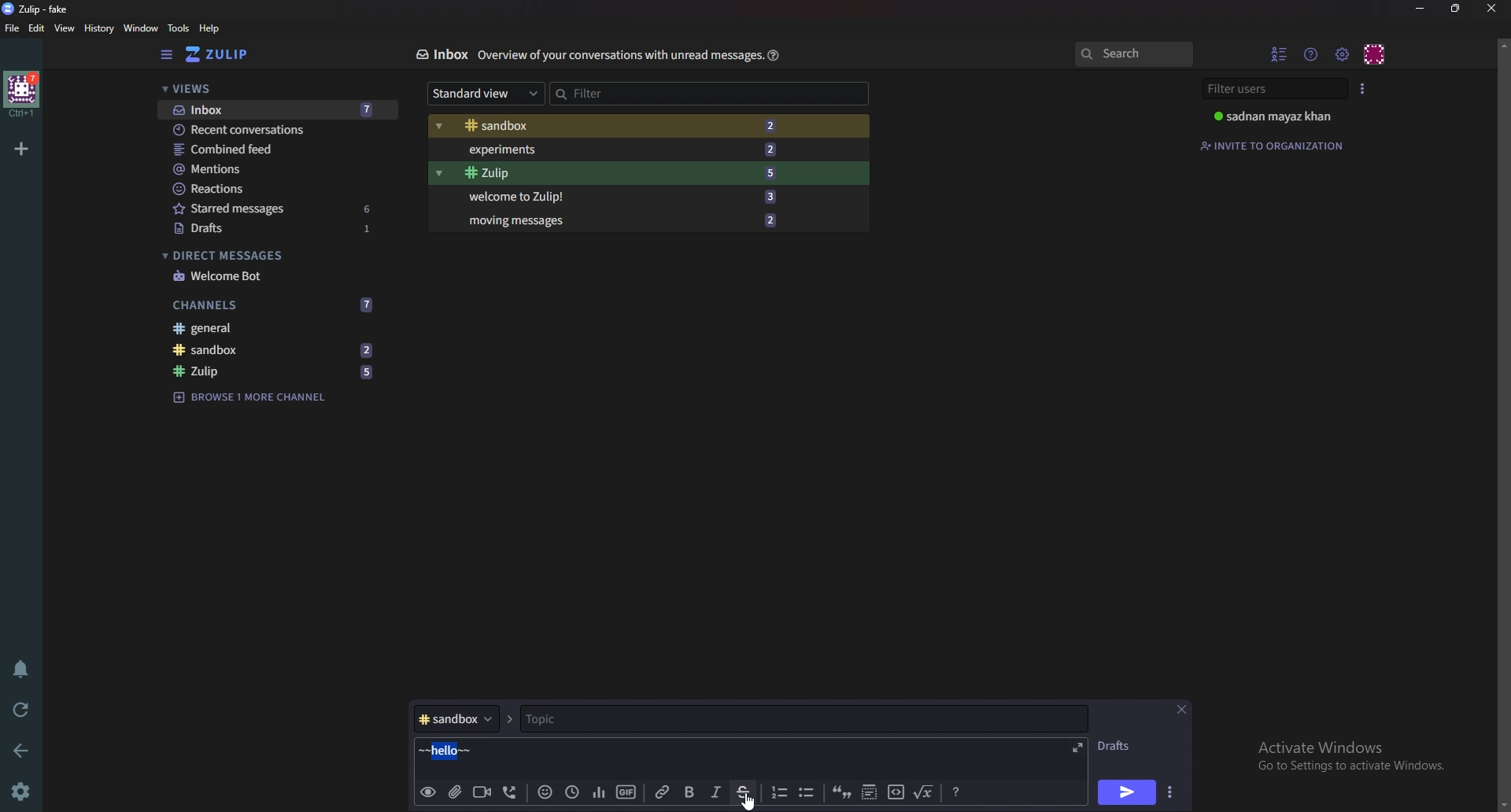 This screenshot has width=1511, height=812. Describe the element at coordinates (142, 28) in the screenshot. I see `Window` at that location.